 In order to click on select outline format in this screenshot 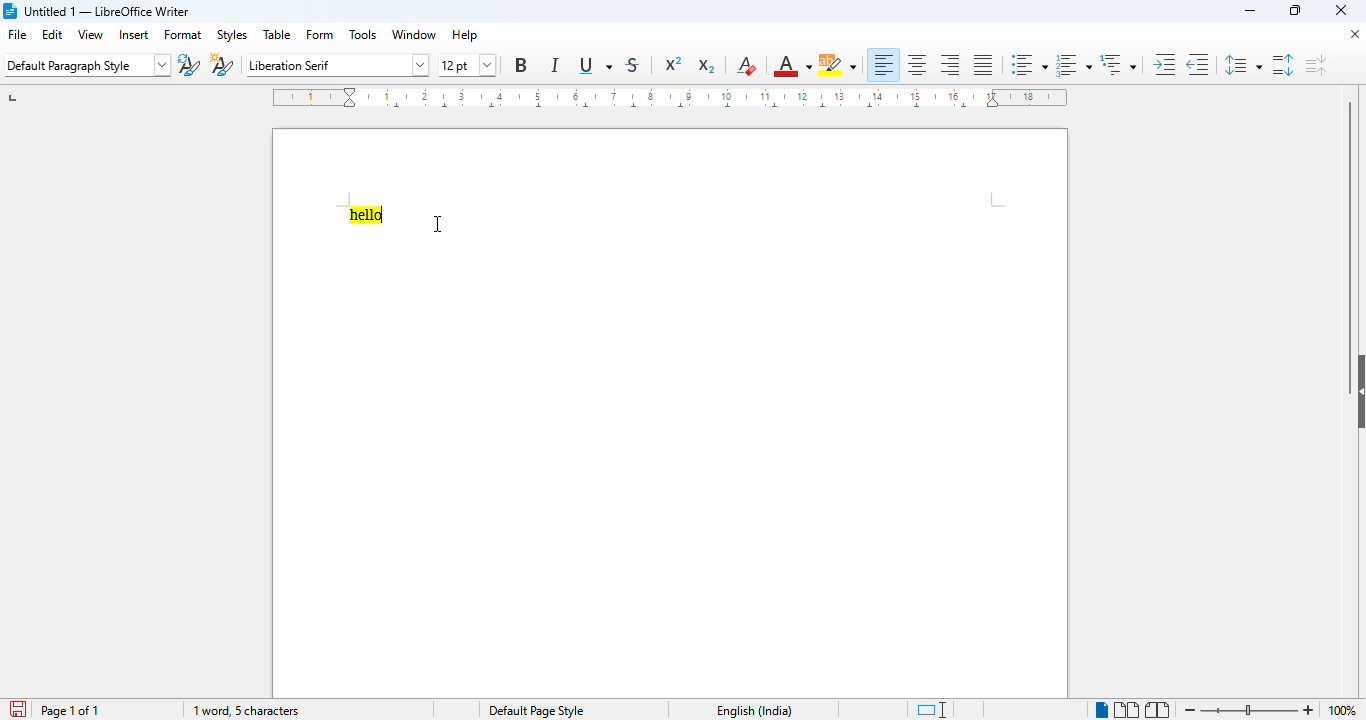, I will do `click(1118, 64)`.